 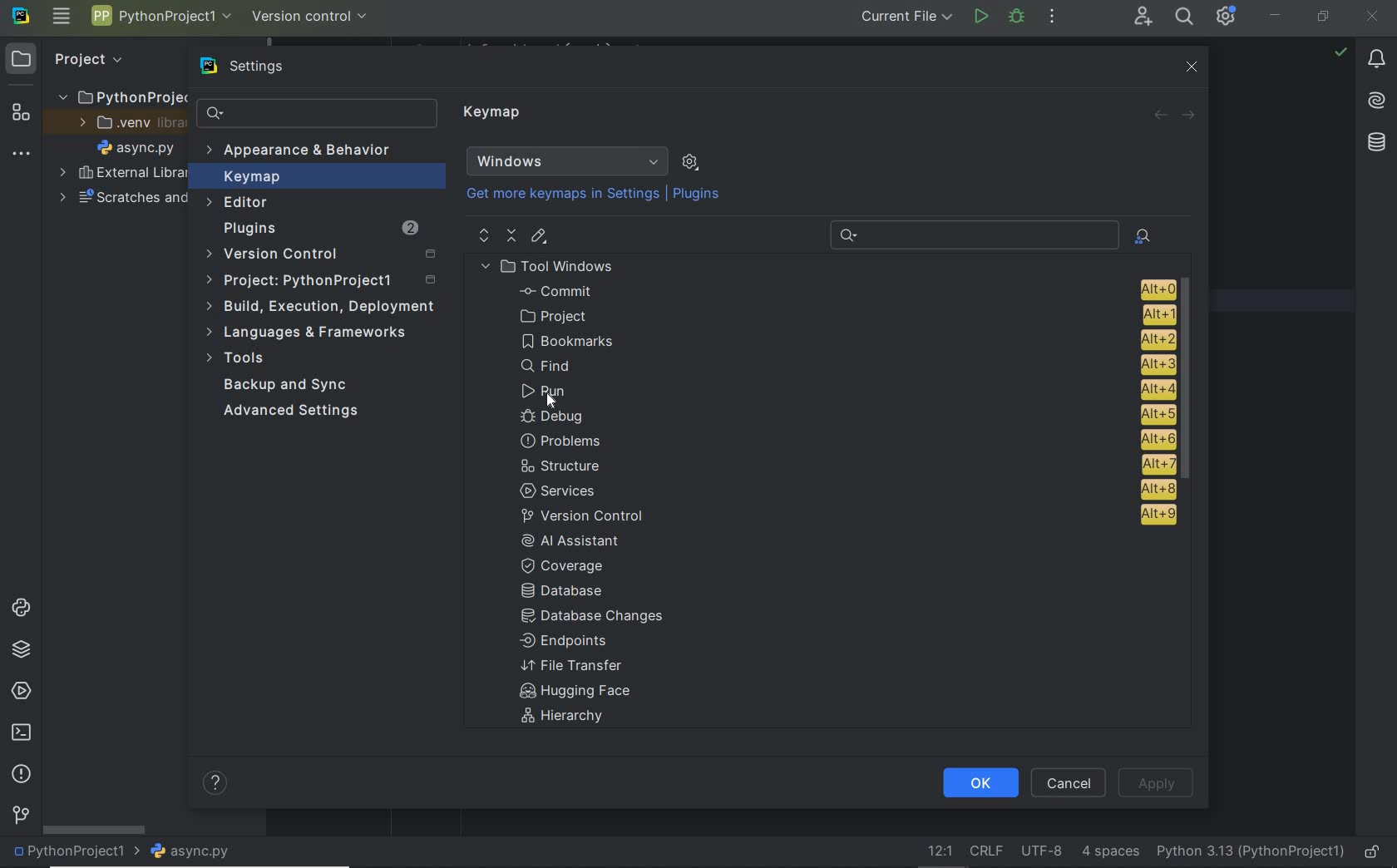 I want to click on settings, so click(x=245, y=67).